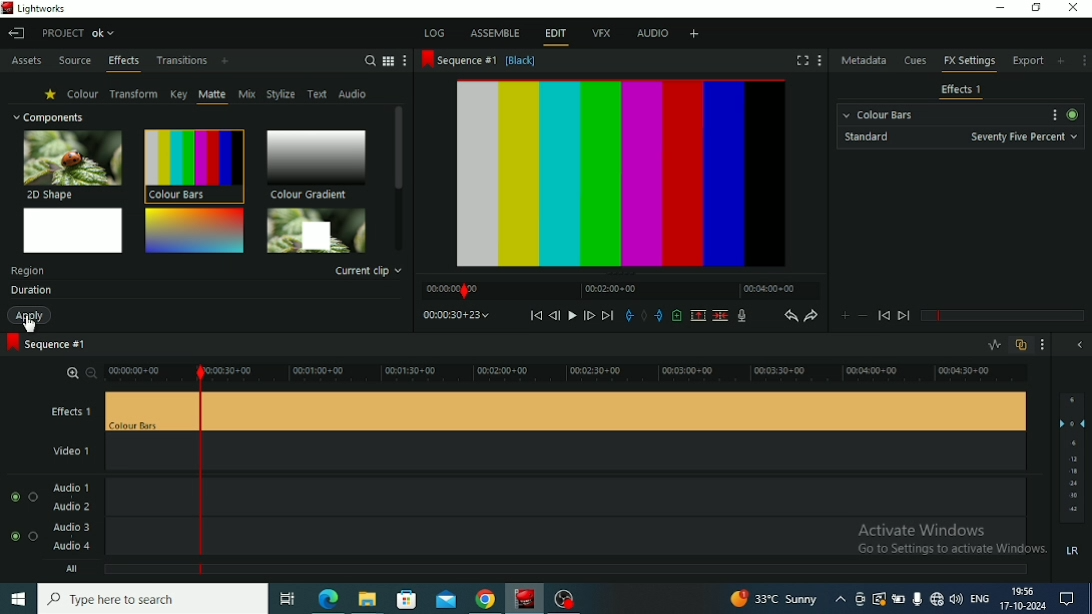 The height and width of the screenshot is (614, 1092). I want to click on Add an out mark at current position, so click(659, 316).